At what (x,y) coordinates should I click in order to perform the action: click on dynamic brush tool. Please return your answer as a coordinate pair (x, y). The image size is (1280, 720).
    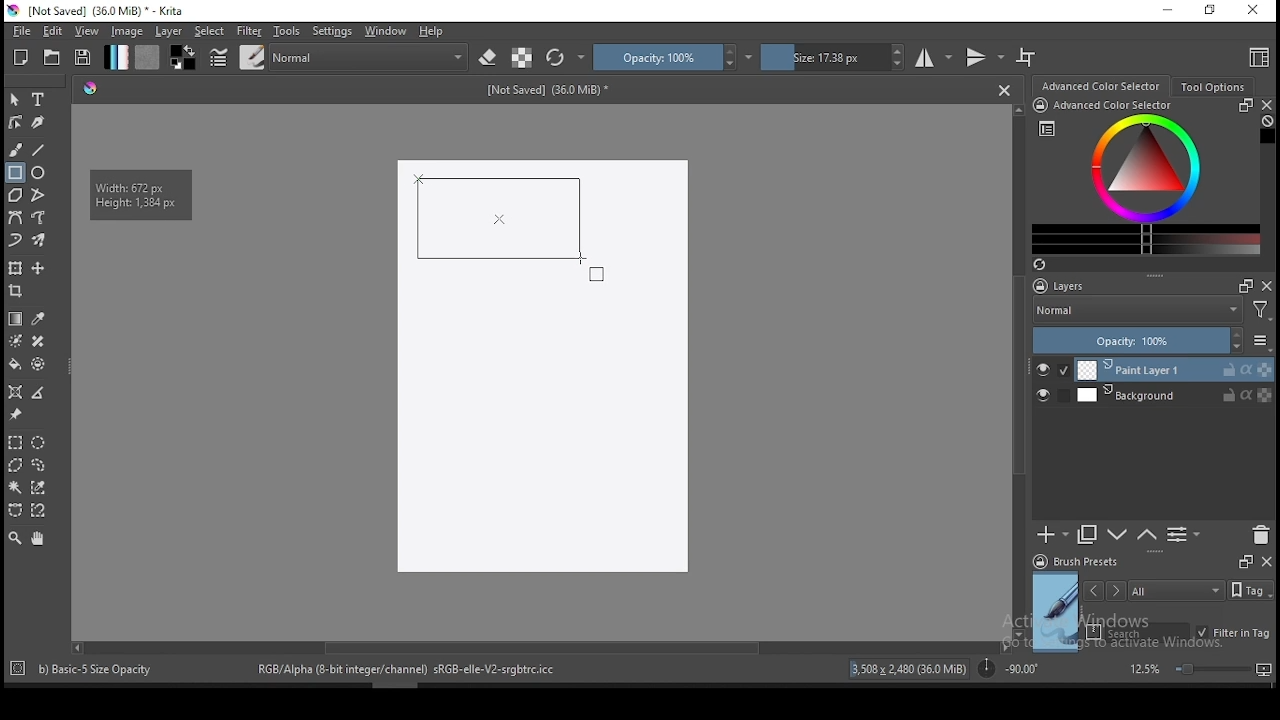
    Looking at the image, I should click on (15, 241).